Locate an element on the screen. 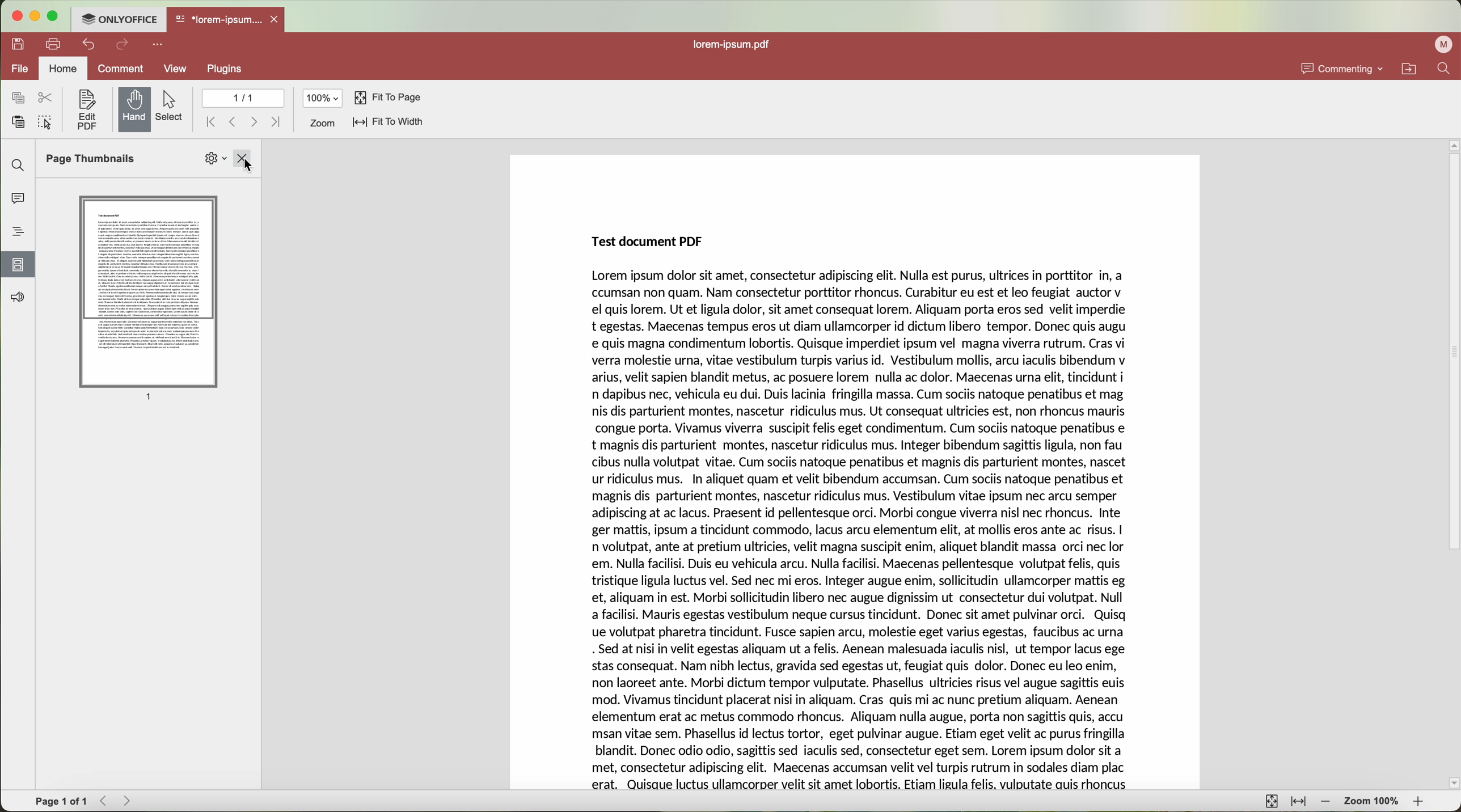 The width and height of the screenshot is (1461, 812). customize quick access toolbar is located at coordinates (157, 45).